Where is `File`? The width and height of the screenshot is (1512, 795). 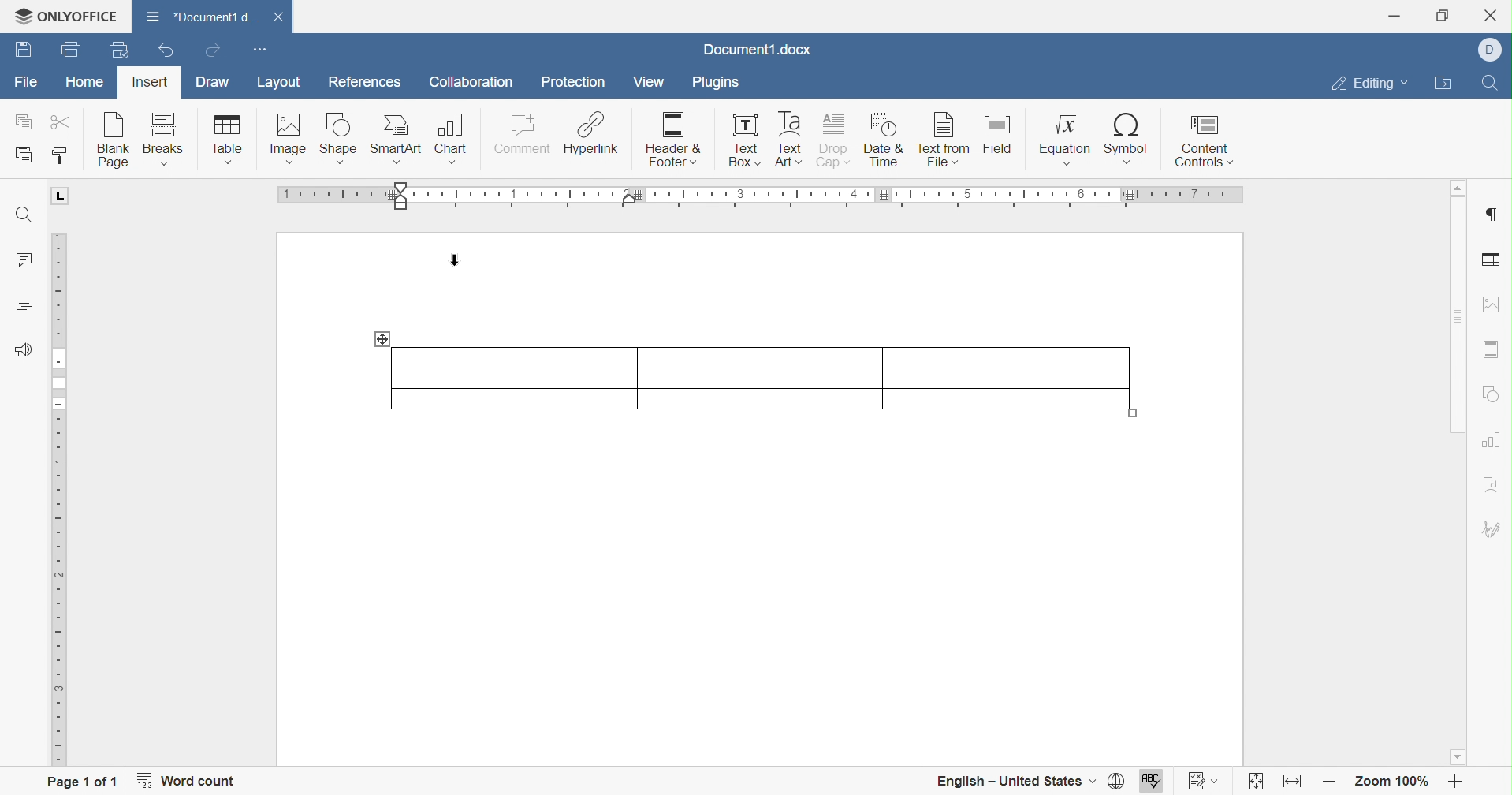
File is located at coordinates (28, 84).